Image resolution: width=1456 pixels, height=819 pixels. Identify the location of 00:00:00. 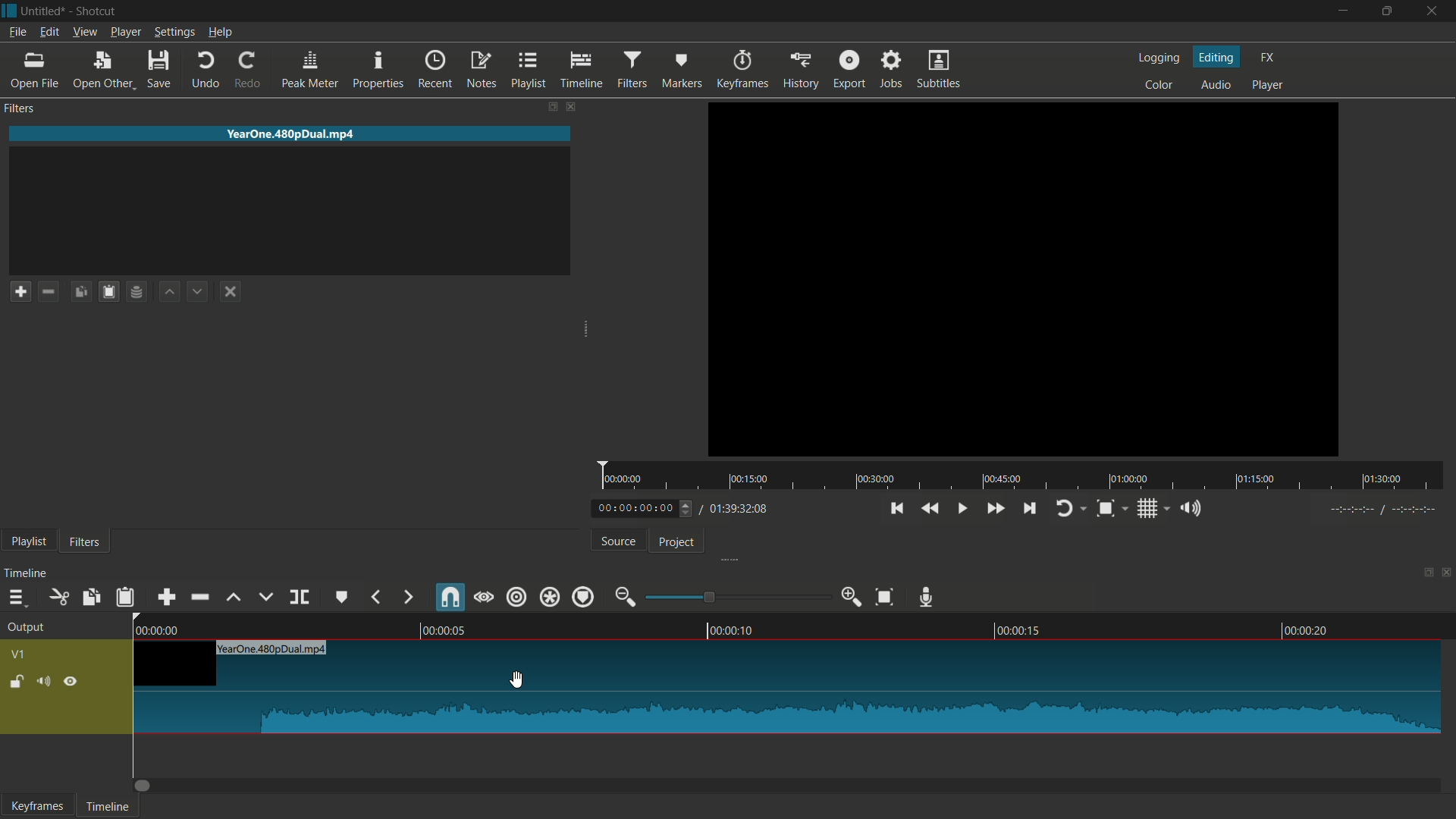
(625, 479).